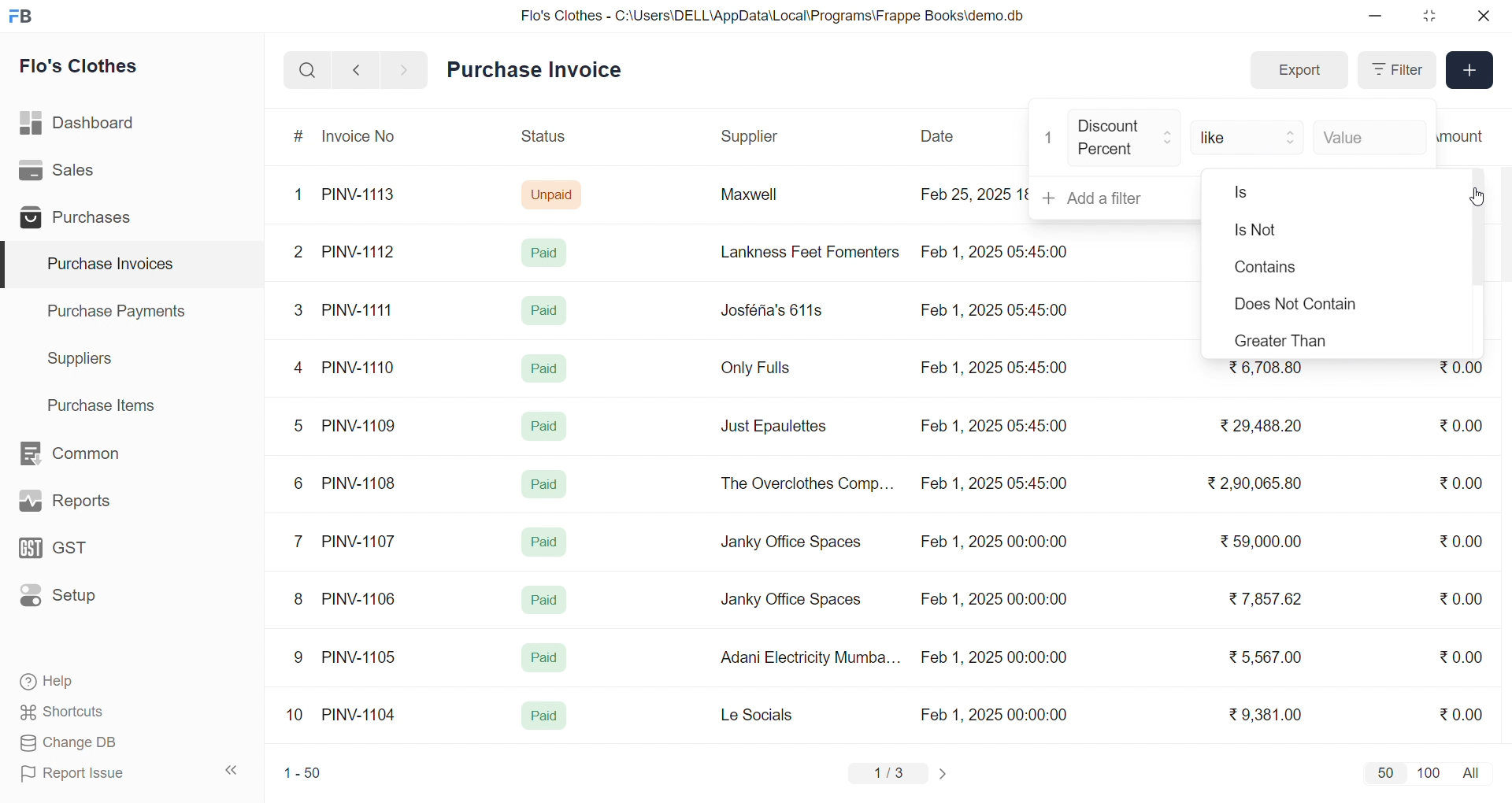 Image resolution: width=1512 pixels, height=803 pixels. What do you see at coordinates (107, 403) in the screenshot?
I see `Purchase Items` at bounding box center [107, 403].